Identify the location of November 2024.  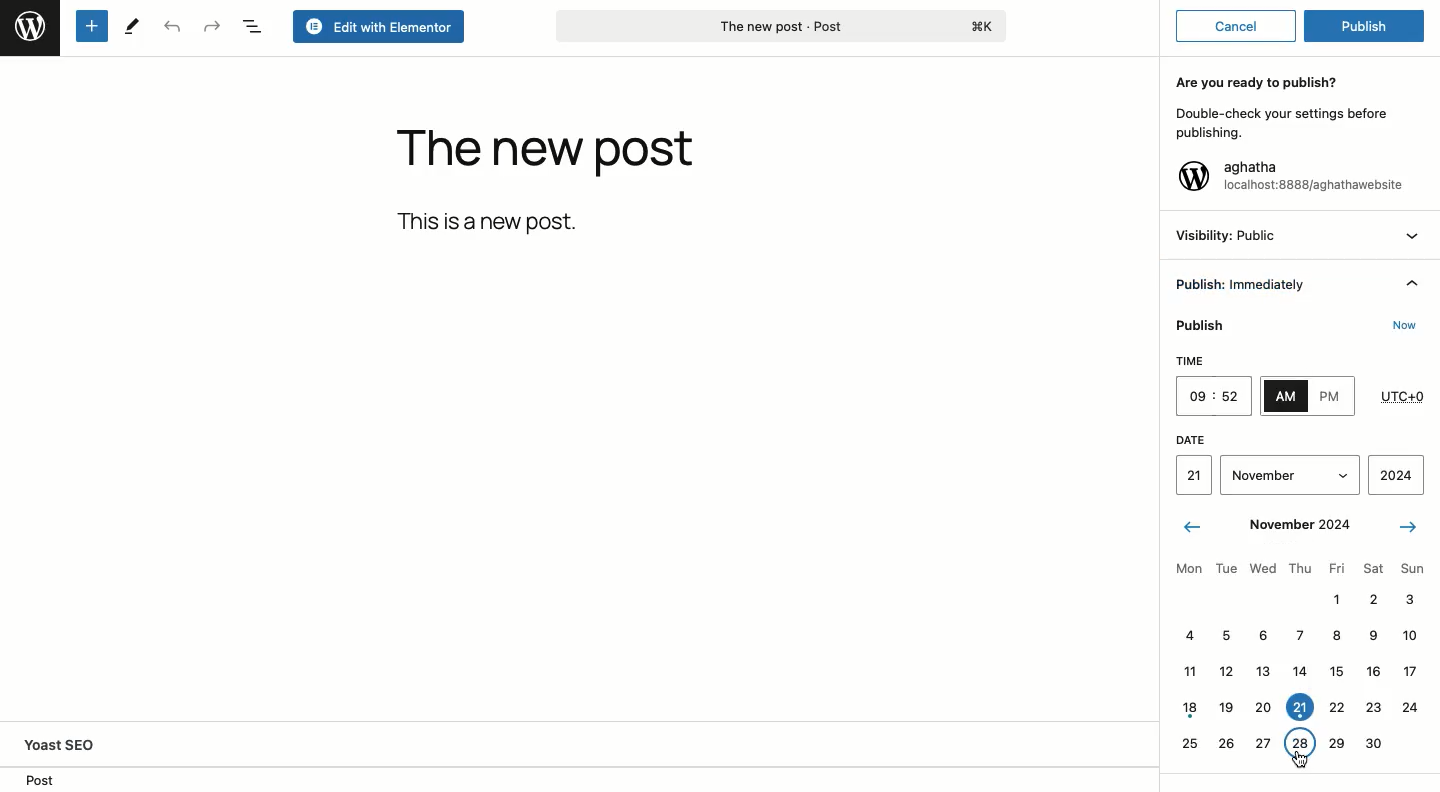
(1296, 526).